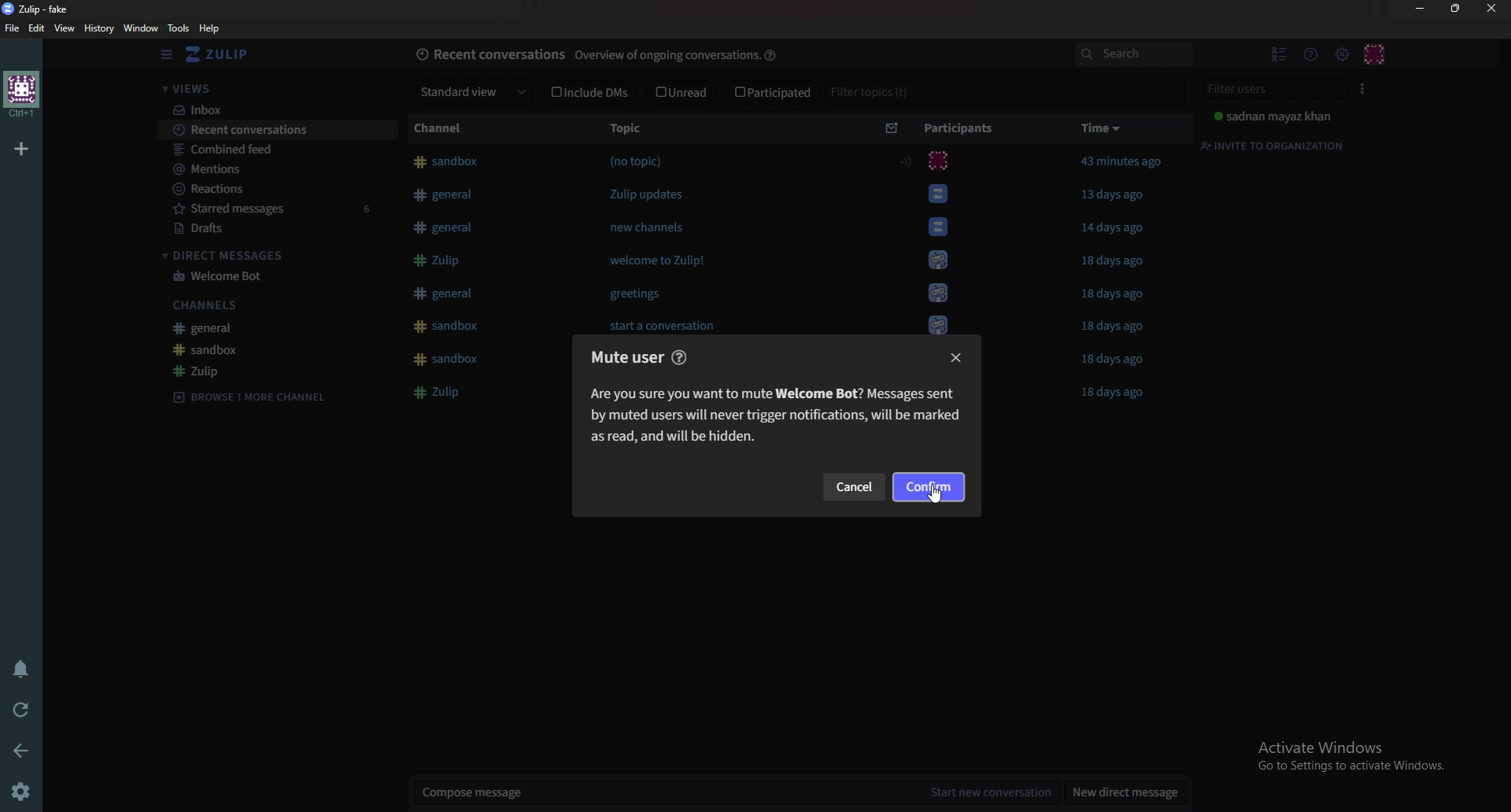 The height and width of the screenshot is (812, 1511). What do you see at coordinates (1113, 390) in the screenshot?
I see `18 days ago` at bounding box center [1113, 390].